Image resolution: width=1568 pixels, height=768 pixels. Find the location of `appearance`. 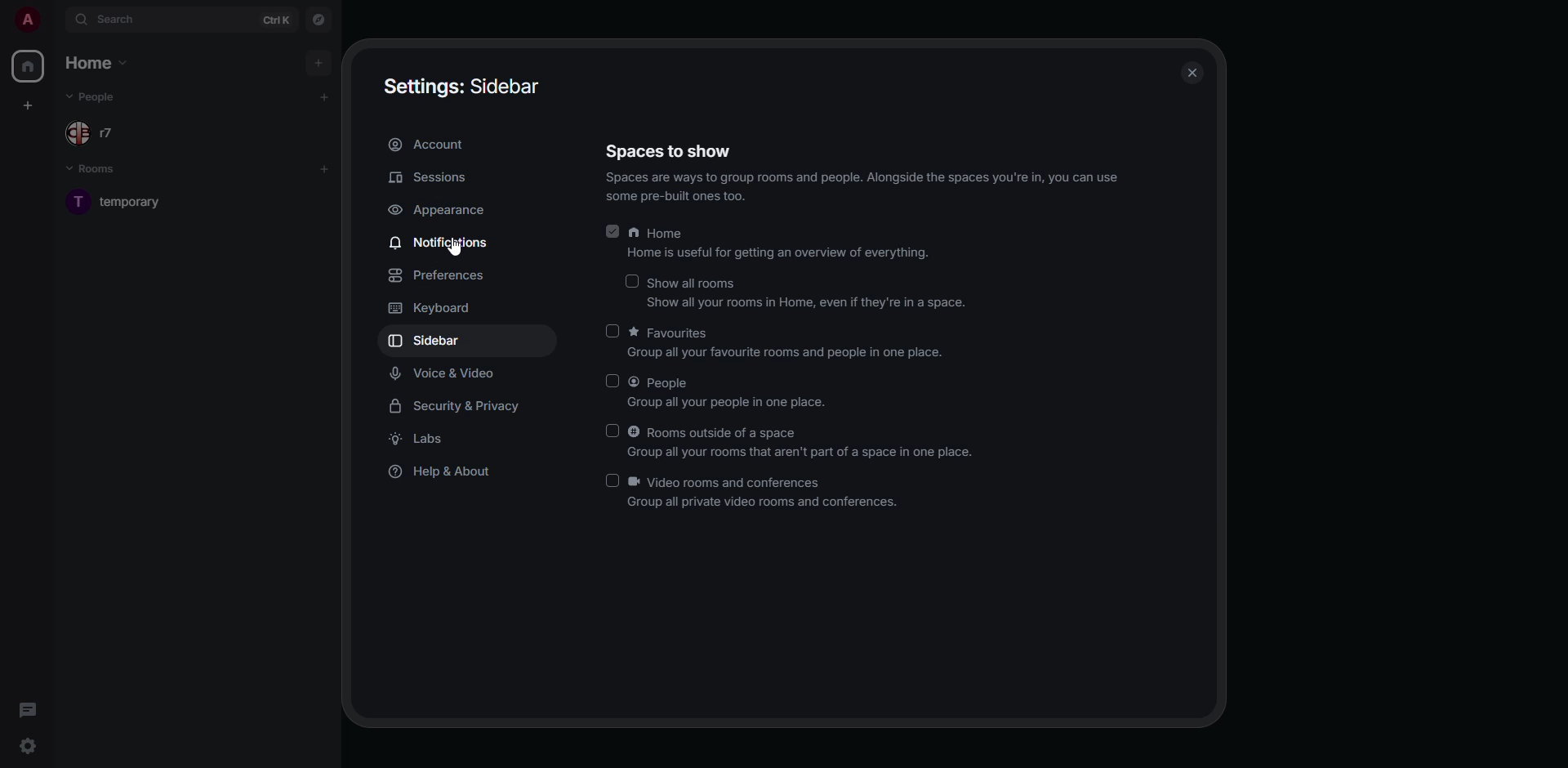

appearance is located at coordinates (443, 211).